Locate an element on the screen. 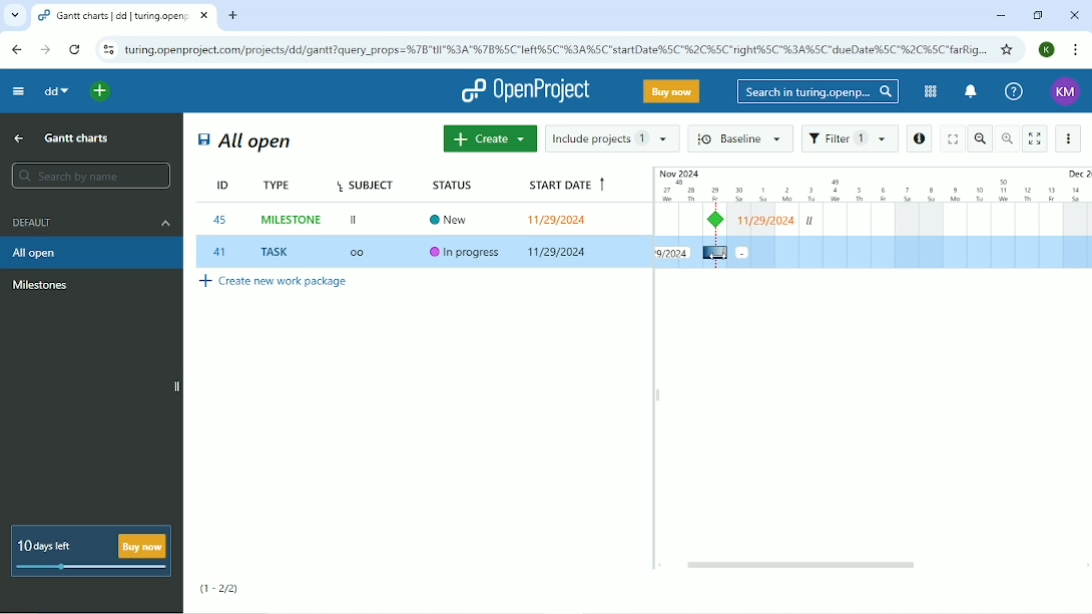  Milestone is located at coordinates (41, 285).